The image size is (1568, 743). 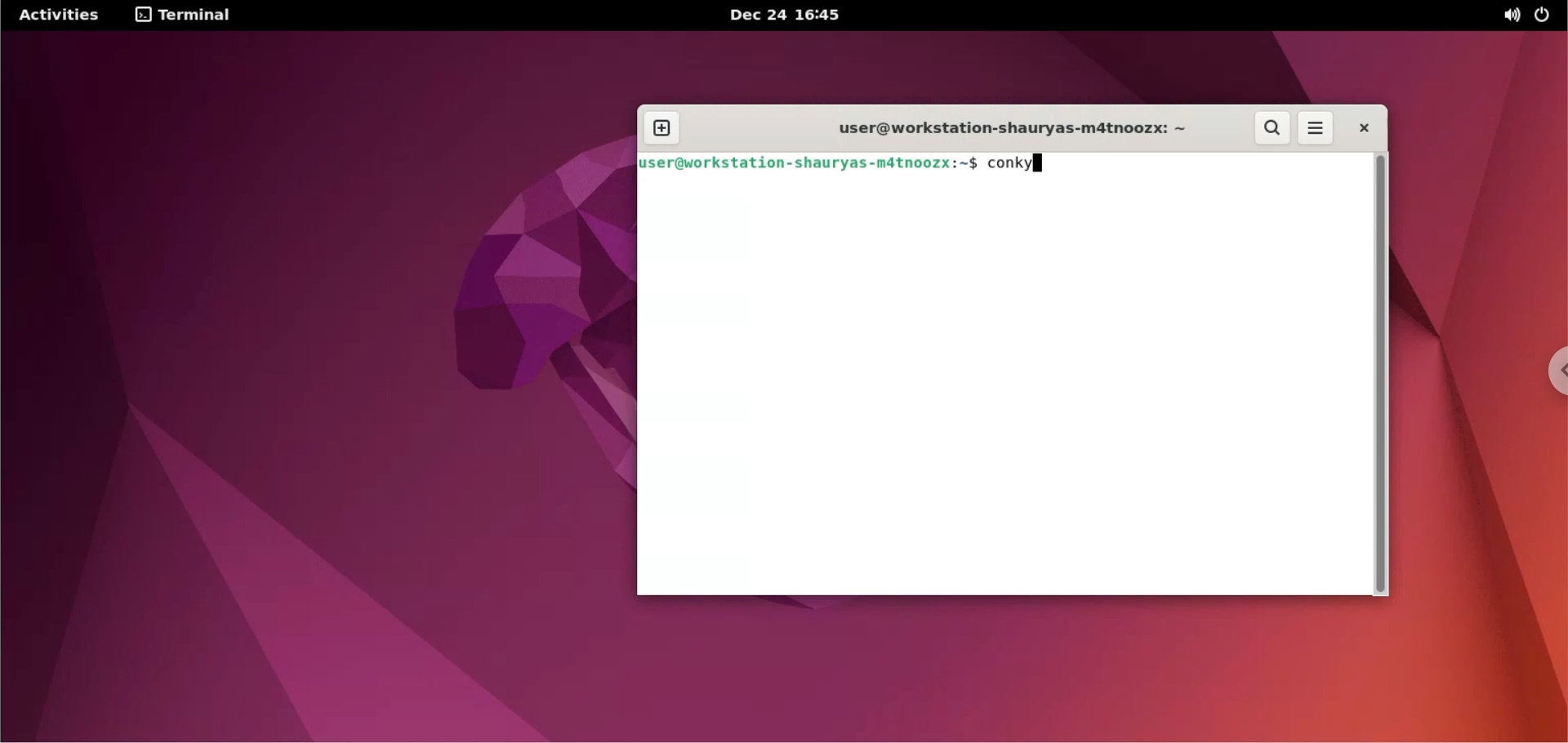 What do you see at coordinates (1018, 165) in the screenshot?
I see `command to run conky` at bounding box center [1018, 165].